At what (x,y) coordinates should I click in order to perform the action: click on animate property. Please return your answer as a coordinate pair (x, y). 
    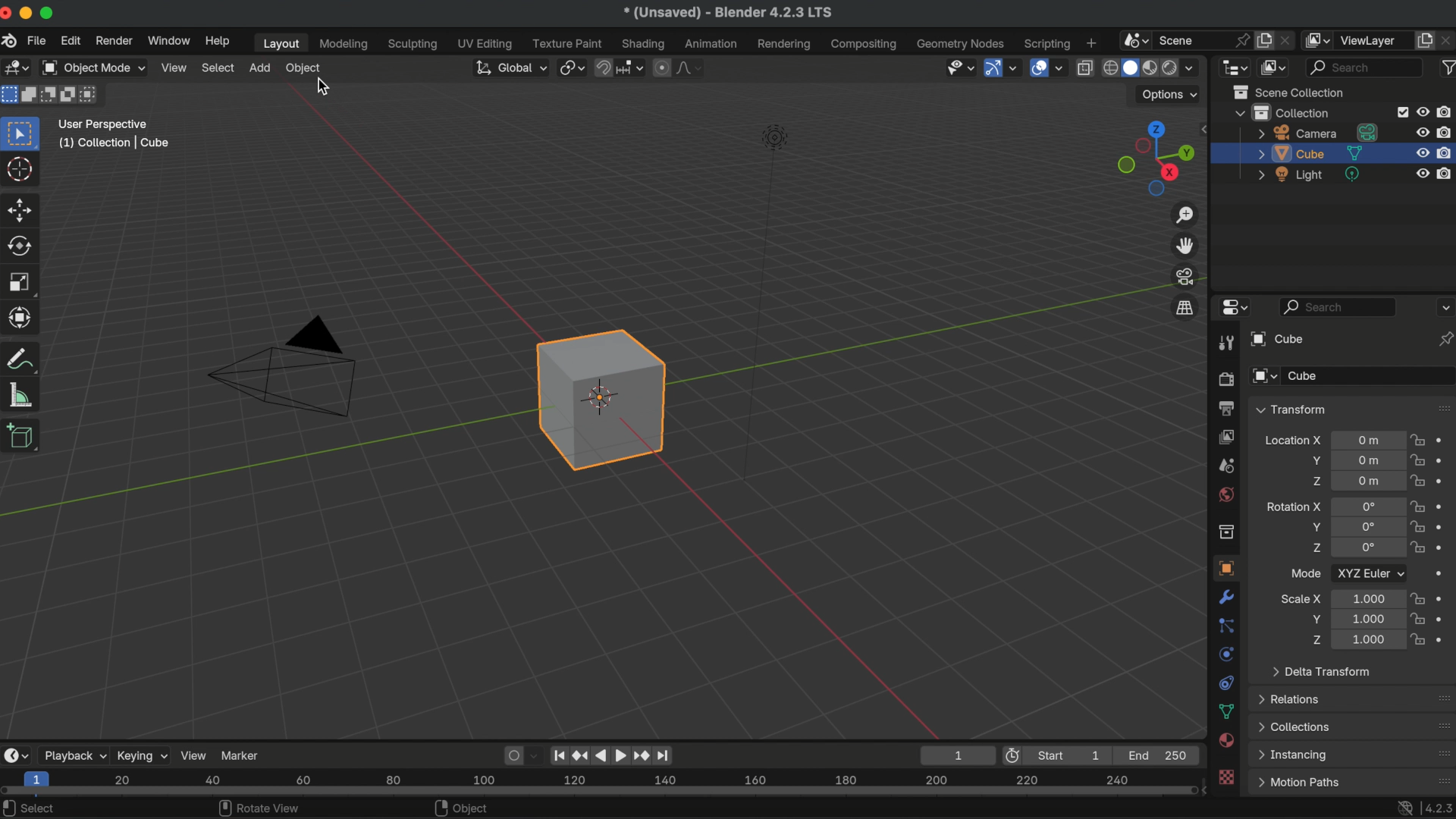
    Looking at the image, I should click on (1444, 618).